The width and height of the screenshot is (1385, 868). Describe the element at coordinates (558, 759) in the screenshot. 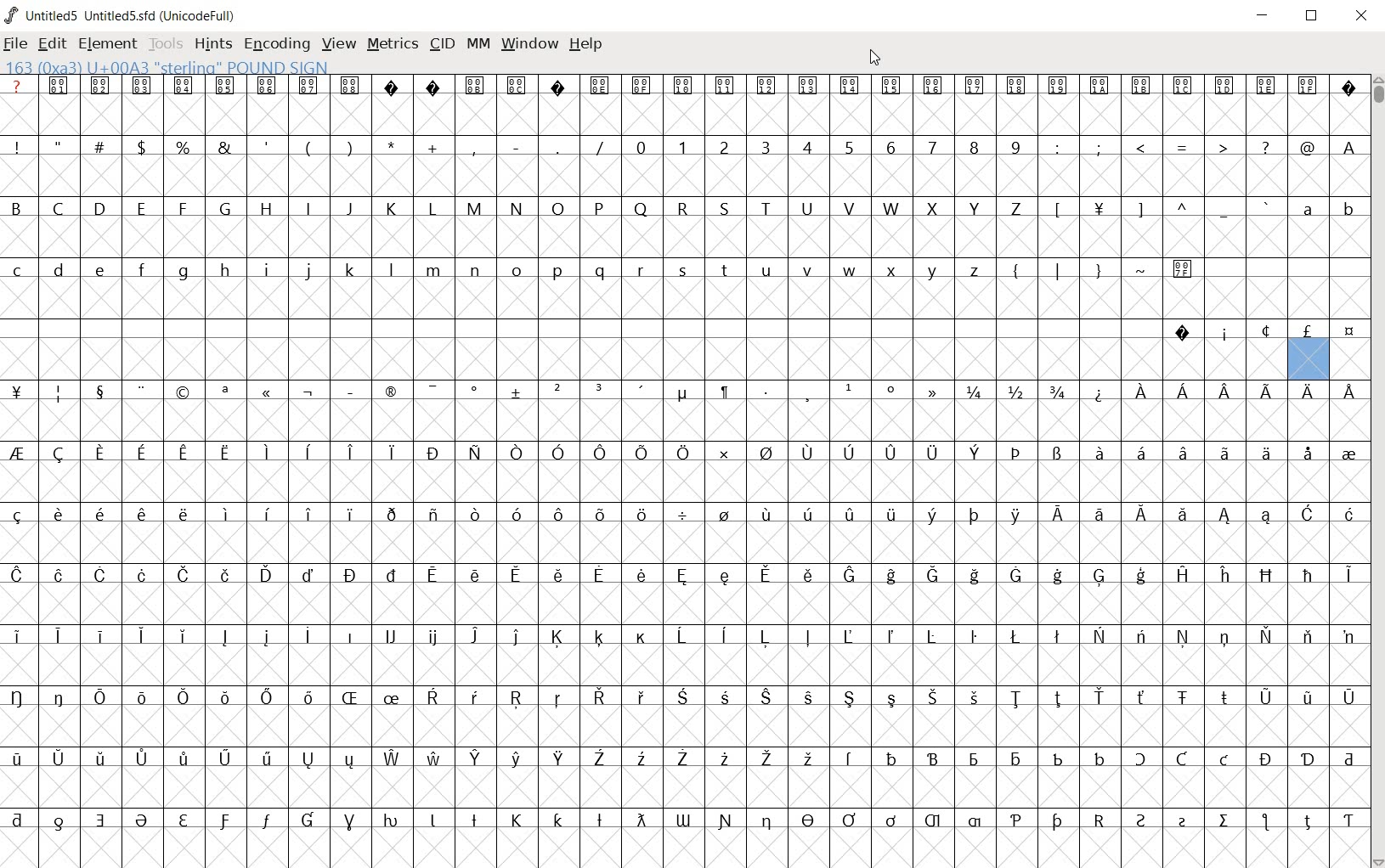

I see `Symbol` at that location.